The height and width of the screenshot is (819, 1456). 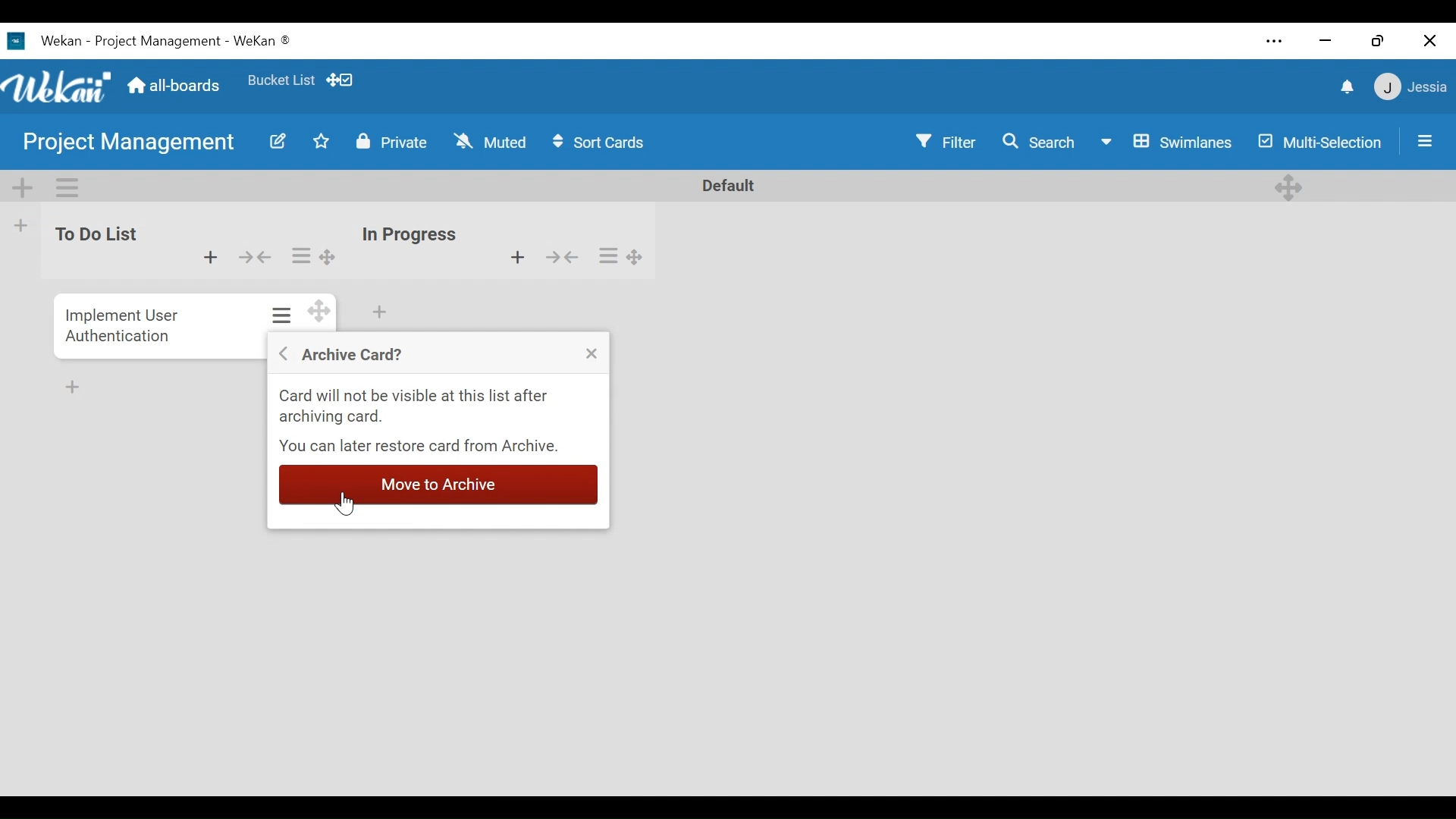 What do you see at coordinates (281, 353) in the screenshot?
I see `Go Back` at bounding box center [281, 353].